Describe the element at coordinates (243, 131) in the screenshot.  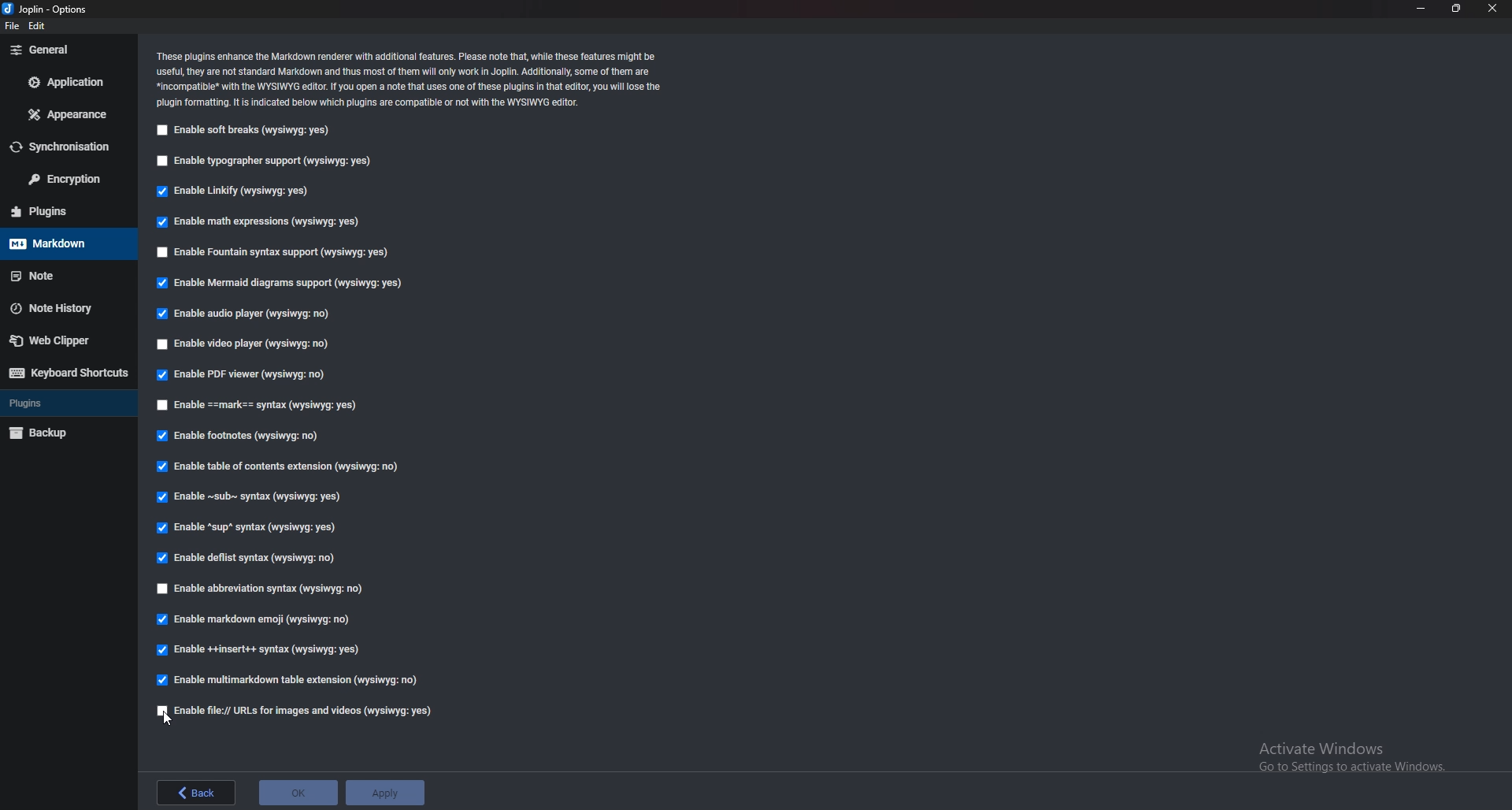
I see `enable soft breaks` at that location.